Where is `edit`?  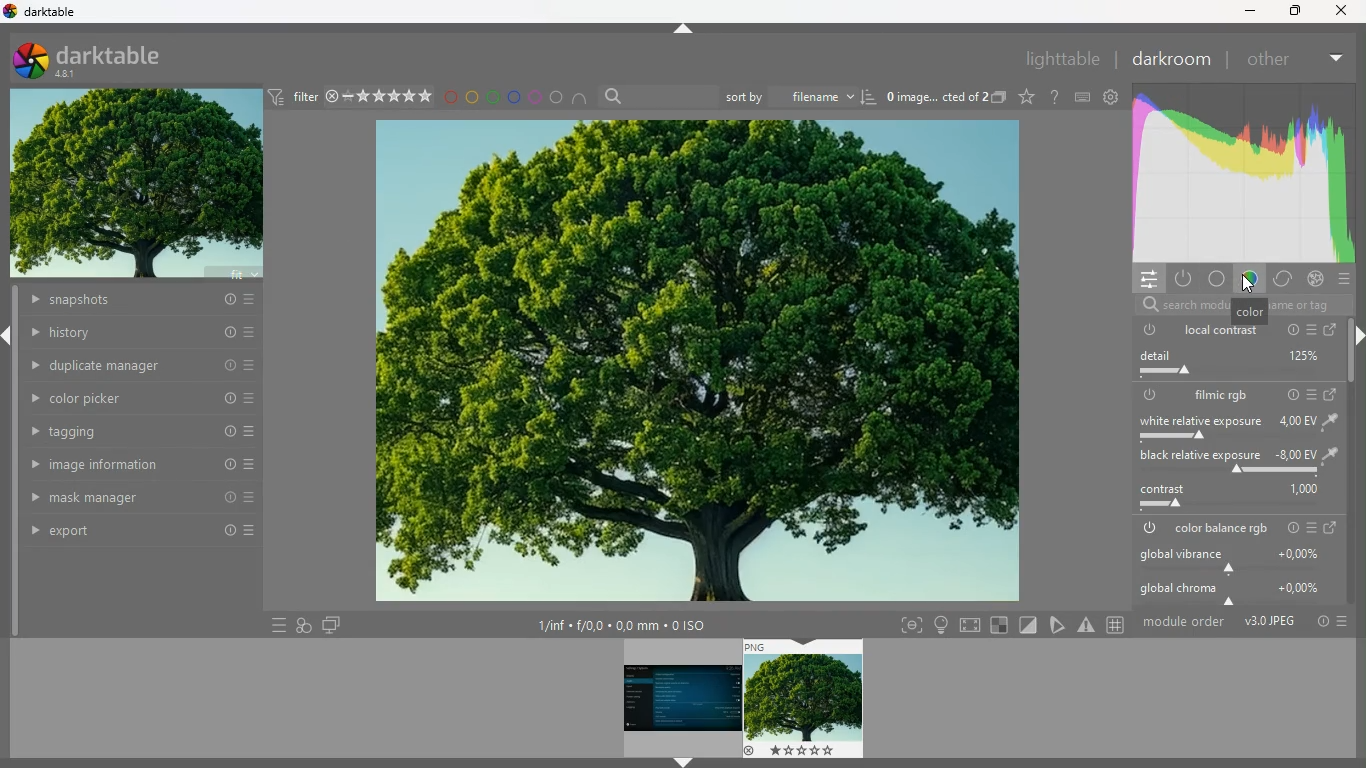
edit is located at coordinates (1059, 624).